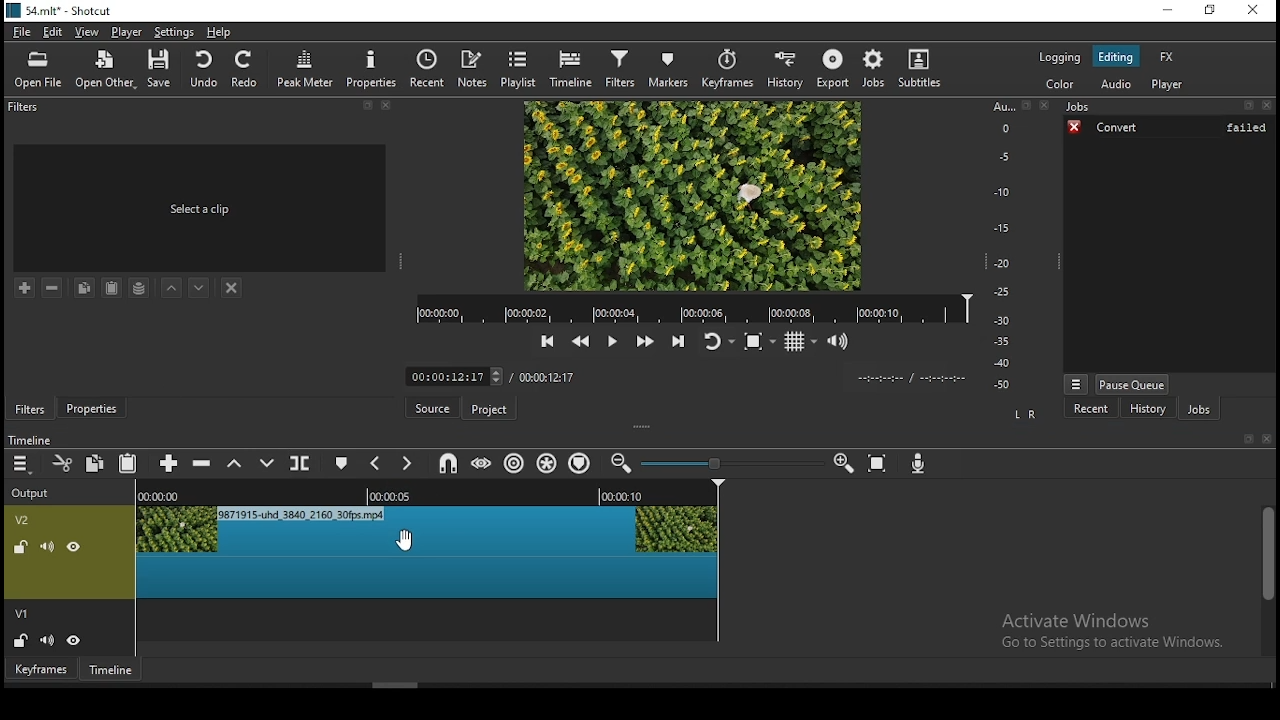 The image size is (1280, 720). Describe the element at coordinates (490, 410) in the screenshot. I see `project` at that location.